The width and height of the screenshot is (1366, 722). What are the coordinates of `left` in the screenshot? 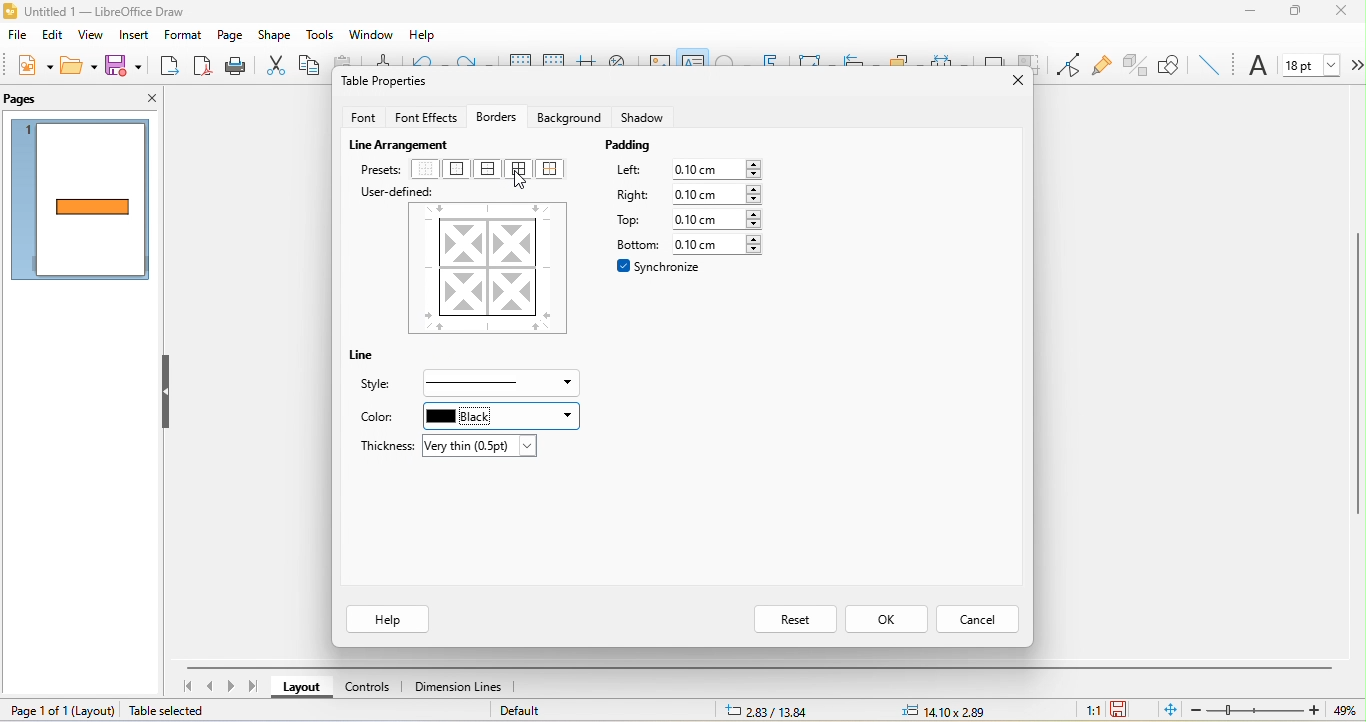 It's located at (627, 172).